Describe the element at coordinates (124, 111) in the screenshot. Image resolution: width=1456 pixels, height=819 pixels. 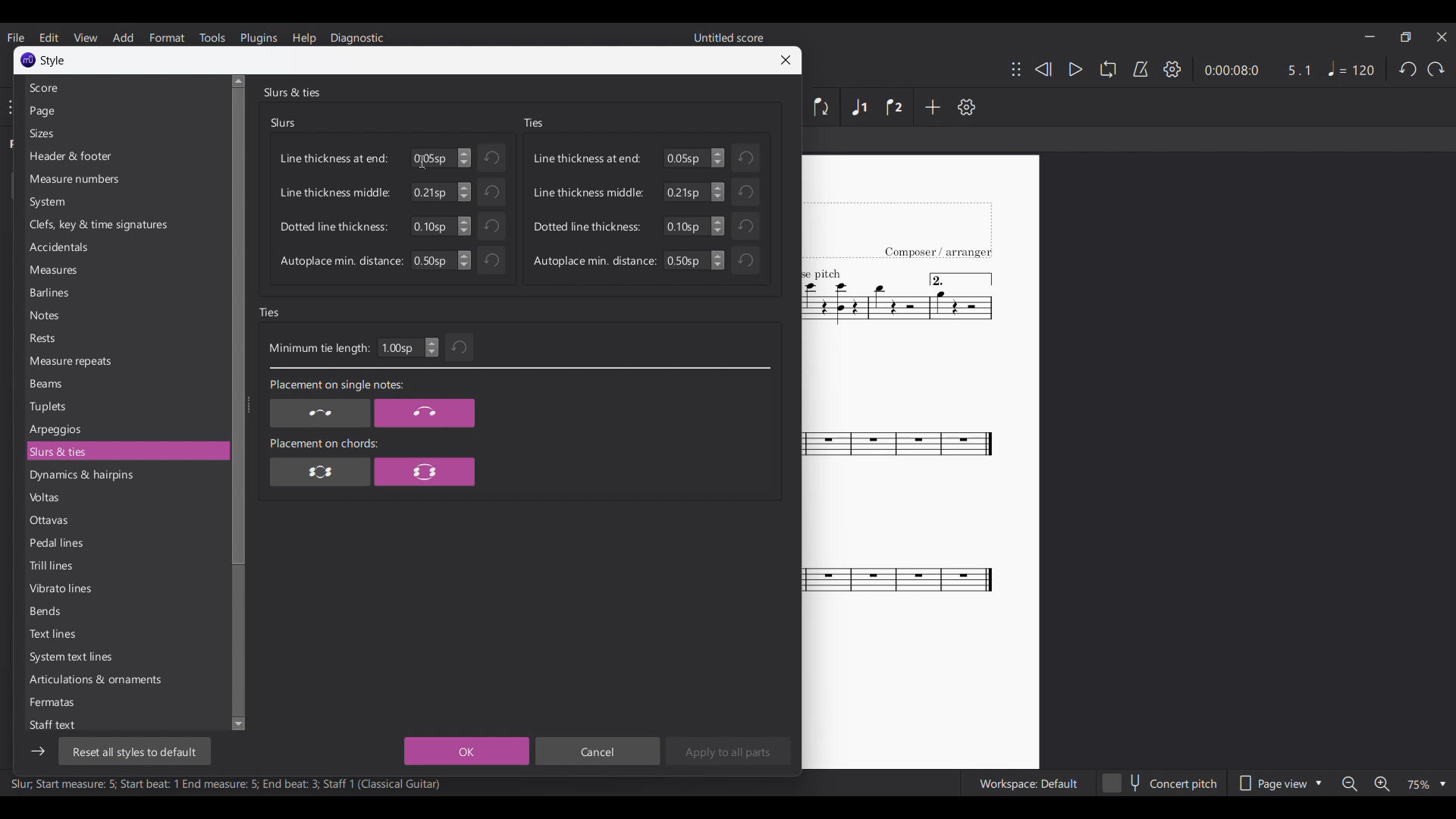
I see `Page` at that location.